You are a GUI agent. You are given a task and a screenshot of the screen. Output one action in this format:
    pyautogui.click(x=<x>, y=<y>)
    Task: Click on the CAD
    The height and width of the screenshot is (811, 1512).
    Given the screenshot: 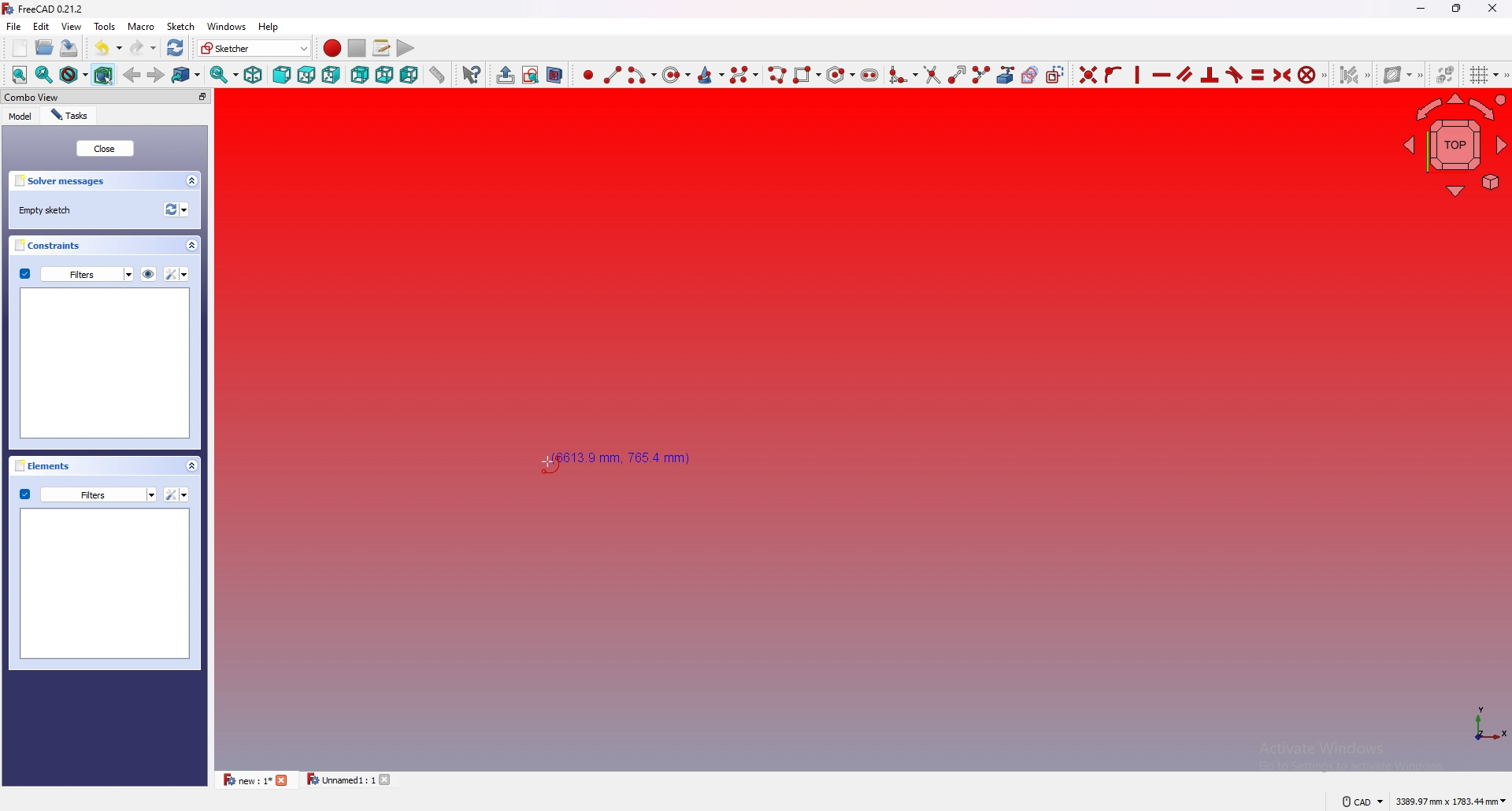 What is the action you would take?
    pyautogui.click(x=1361, y=801)
    